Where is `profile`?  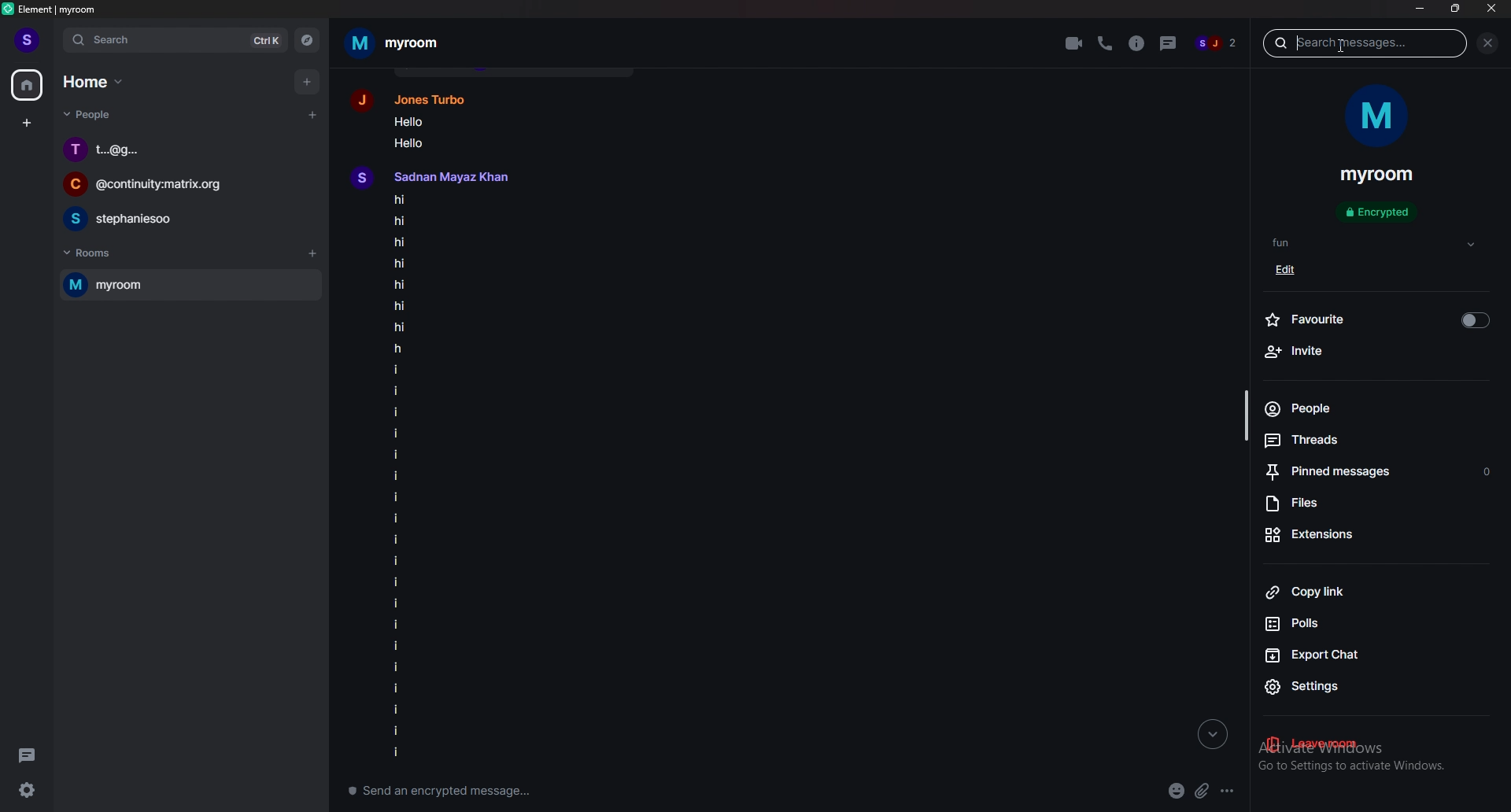 profile is located at coordinates (29, 39).